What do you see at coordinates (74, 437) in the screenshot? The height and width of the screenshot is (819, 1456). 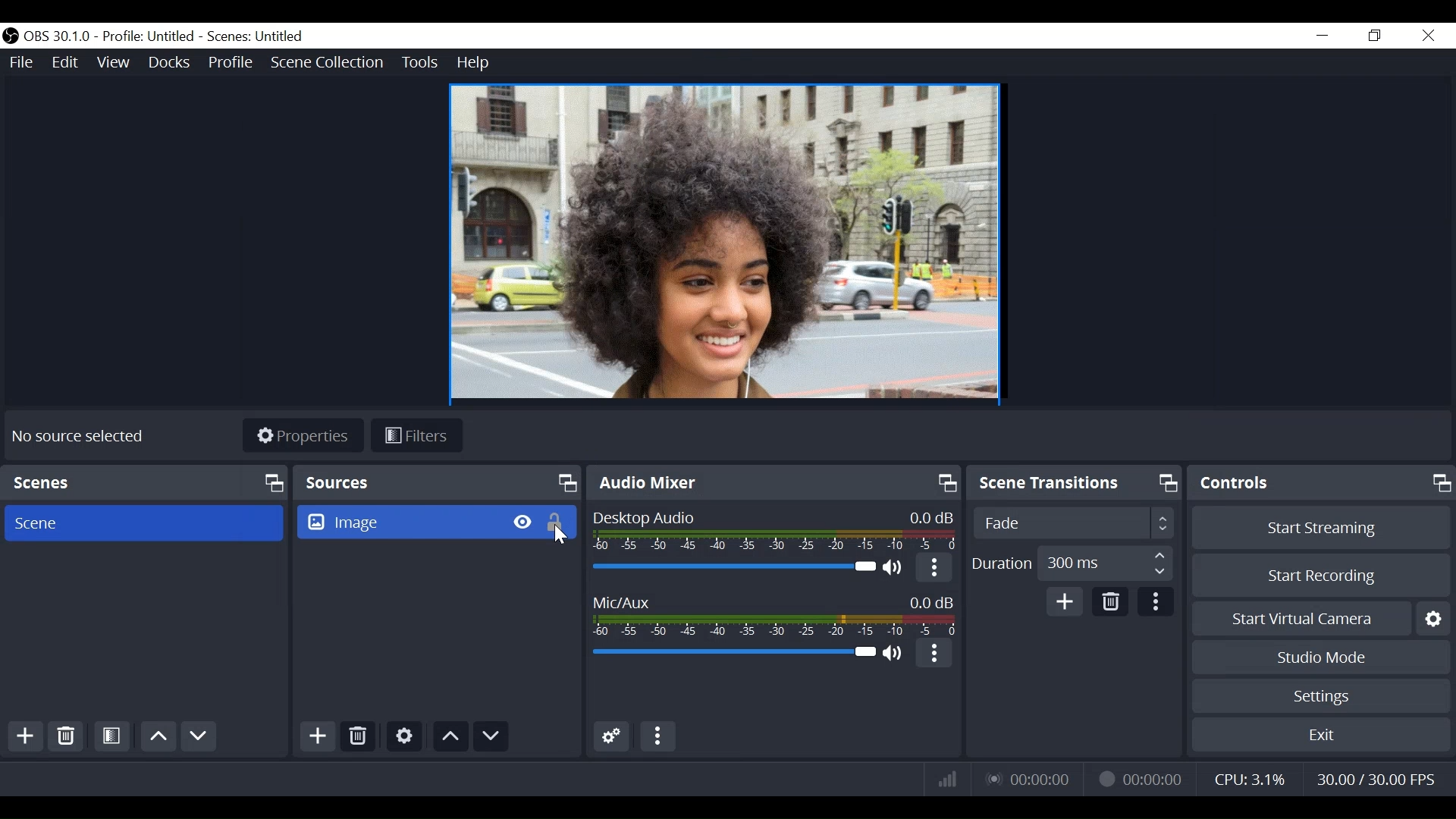 I see `No source Selected` at bounding box center [74, 437].